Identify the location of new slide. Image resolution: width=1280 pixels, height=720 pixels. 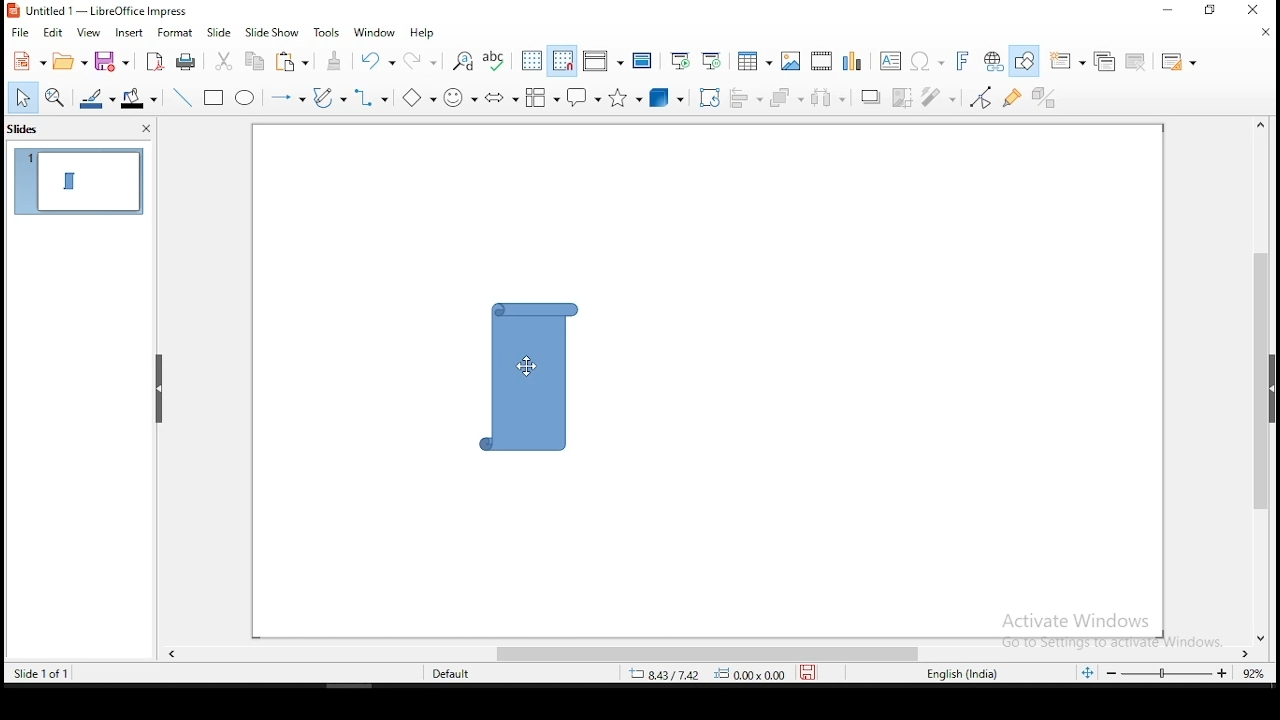
(1069, 59).